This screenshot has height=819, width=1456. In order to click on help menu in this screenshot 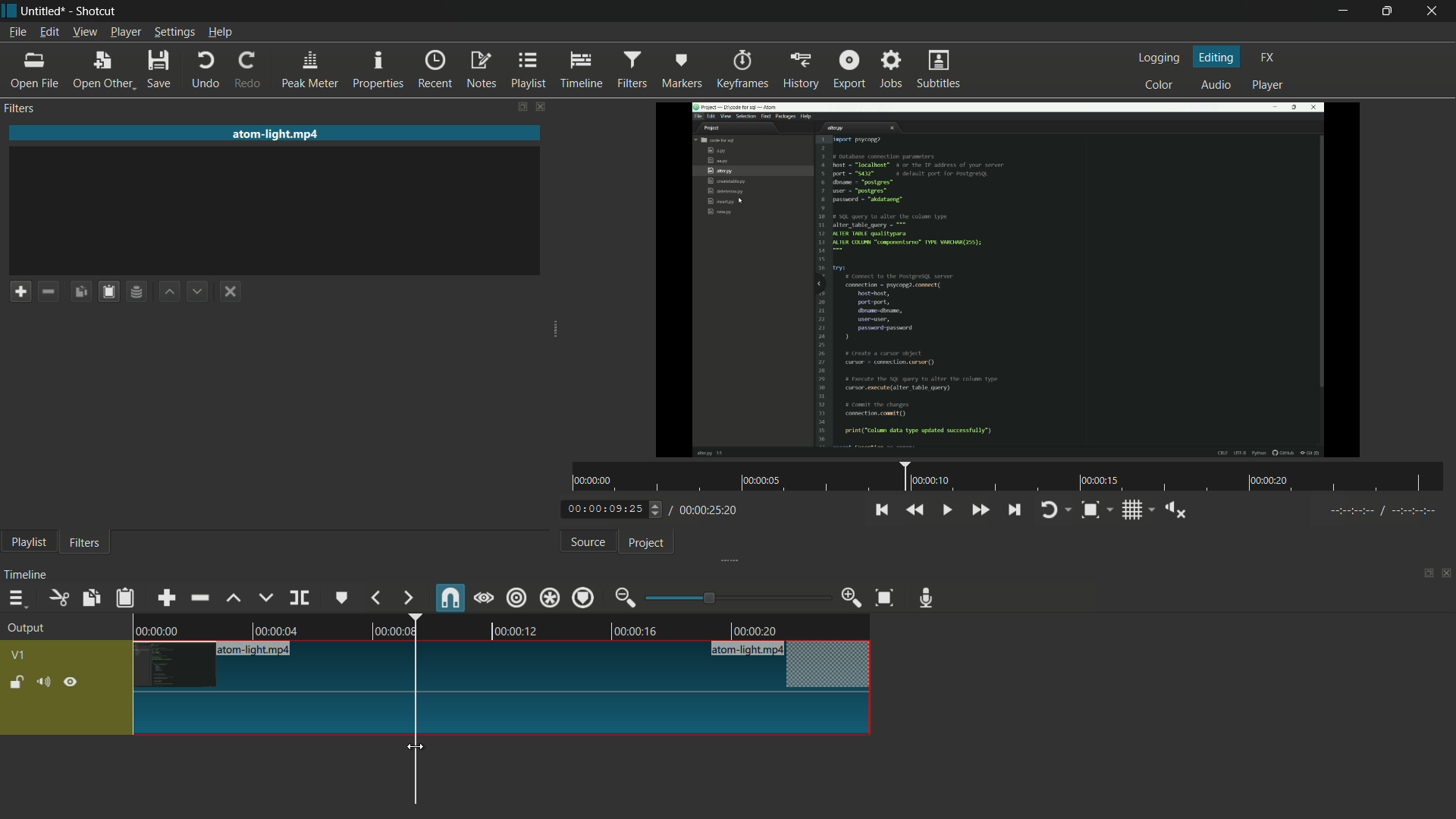, I will do `click(220, 33)`.